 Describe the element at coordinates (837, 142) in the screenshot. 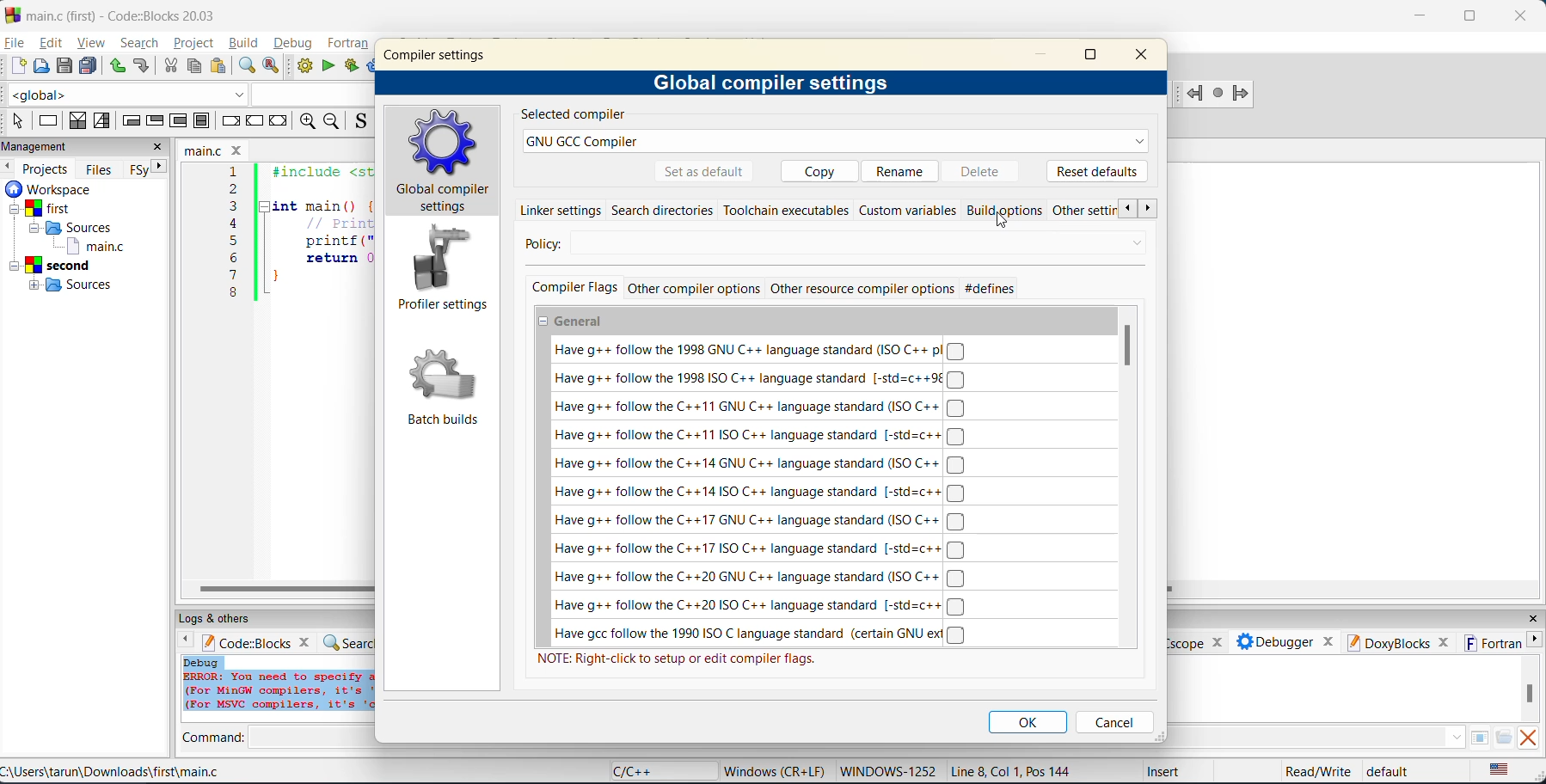

I see `GNU GCC compiler` at that location.